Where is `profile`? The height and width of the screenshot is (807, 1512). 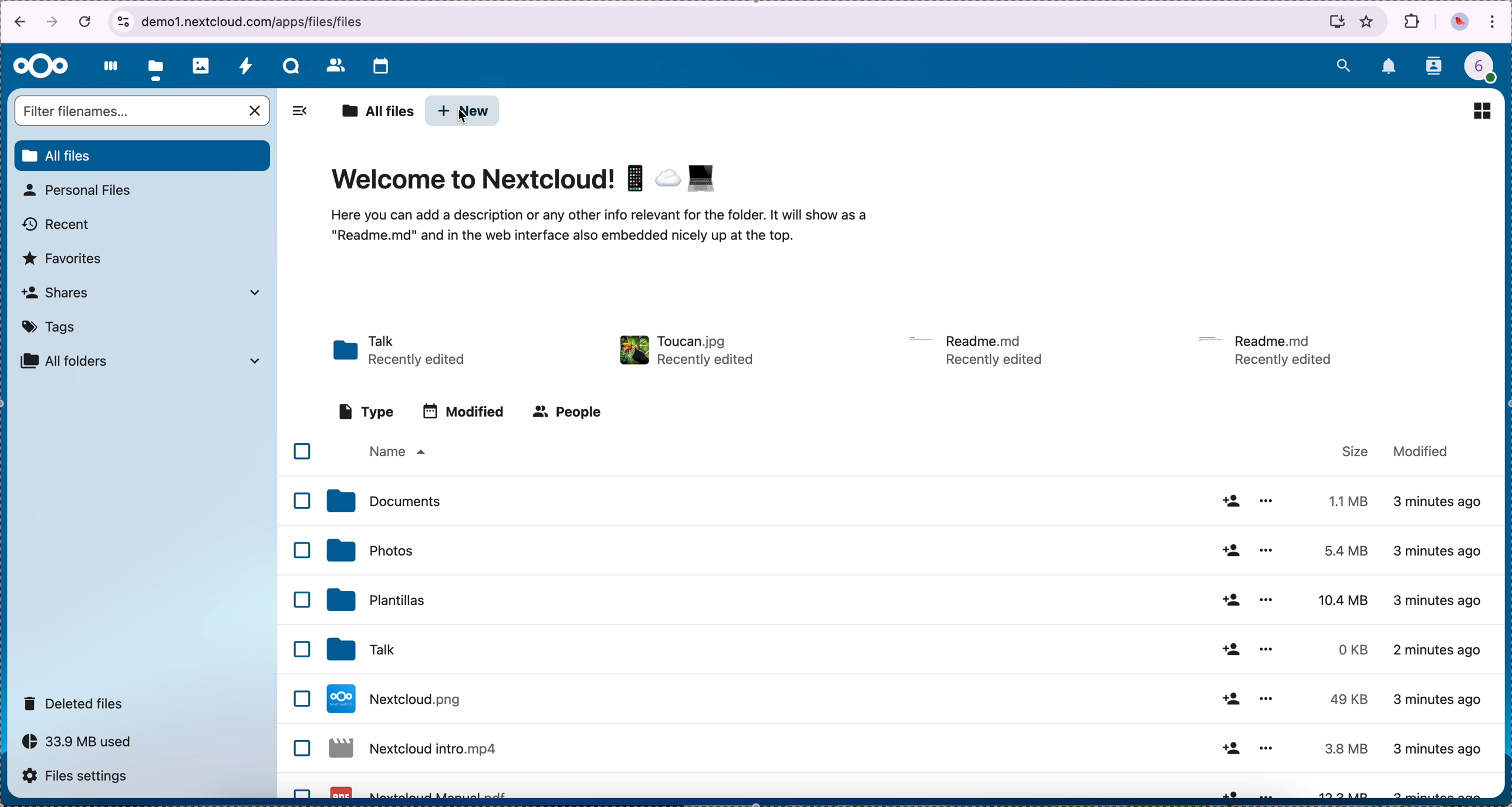
profile is located at coordinates (1487, 70).